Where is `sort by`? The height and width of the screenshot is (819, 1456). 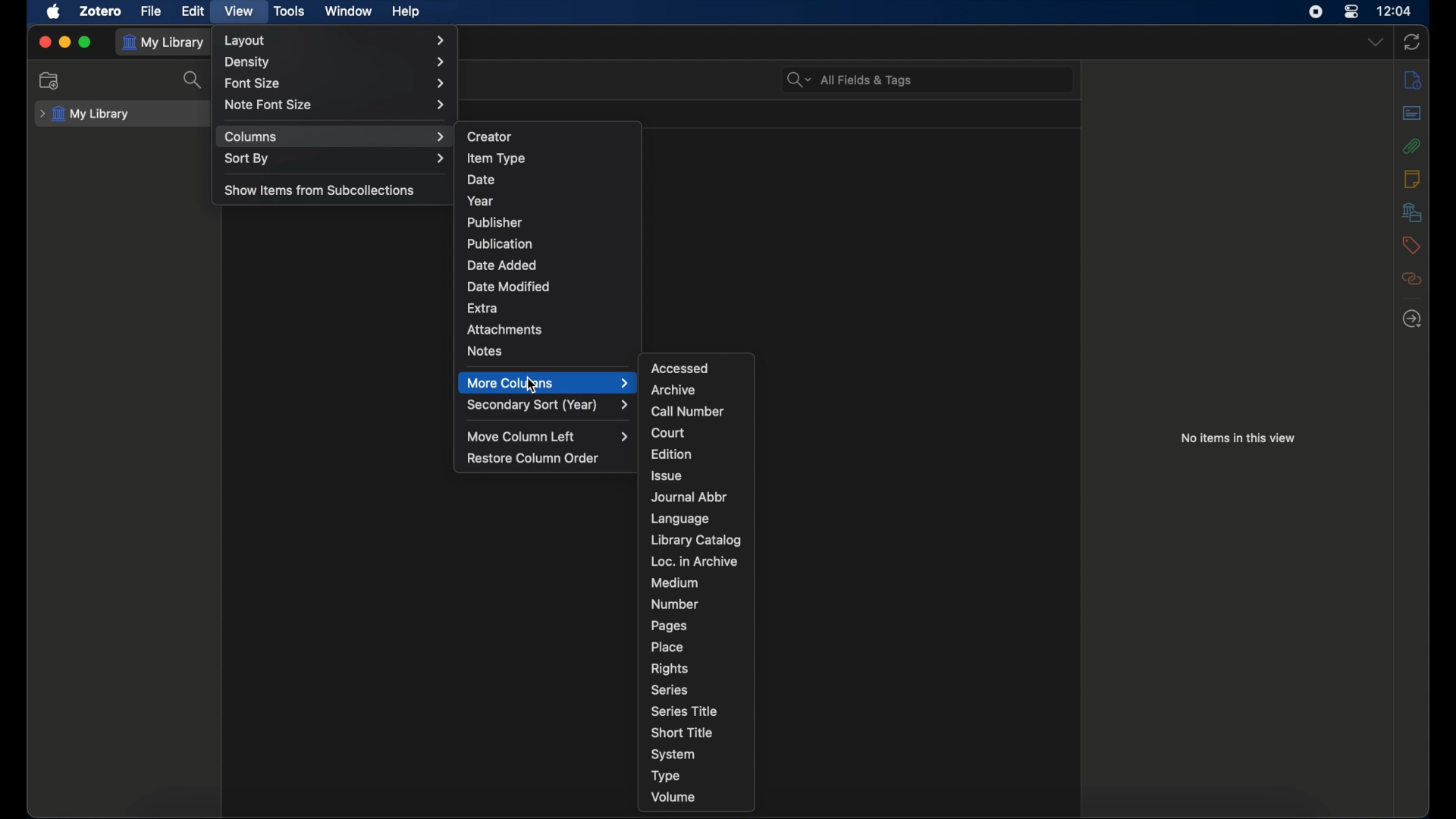
sort by is located at coordinates (335, 158).